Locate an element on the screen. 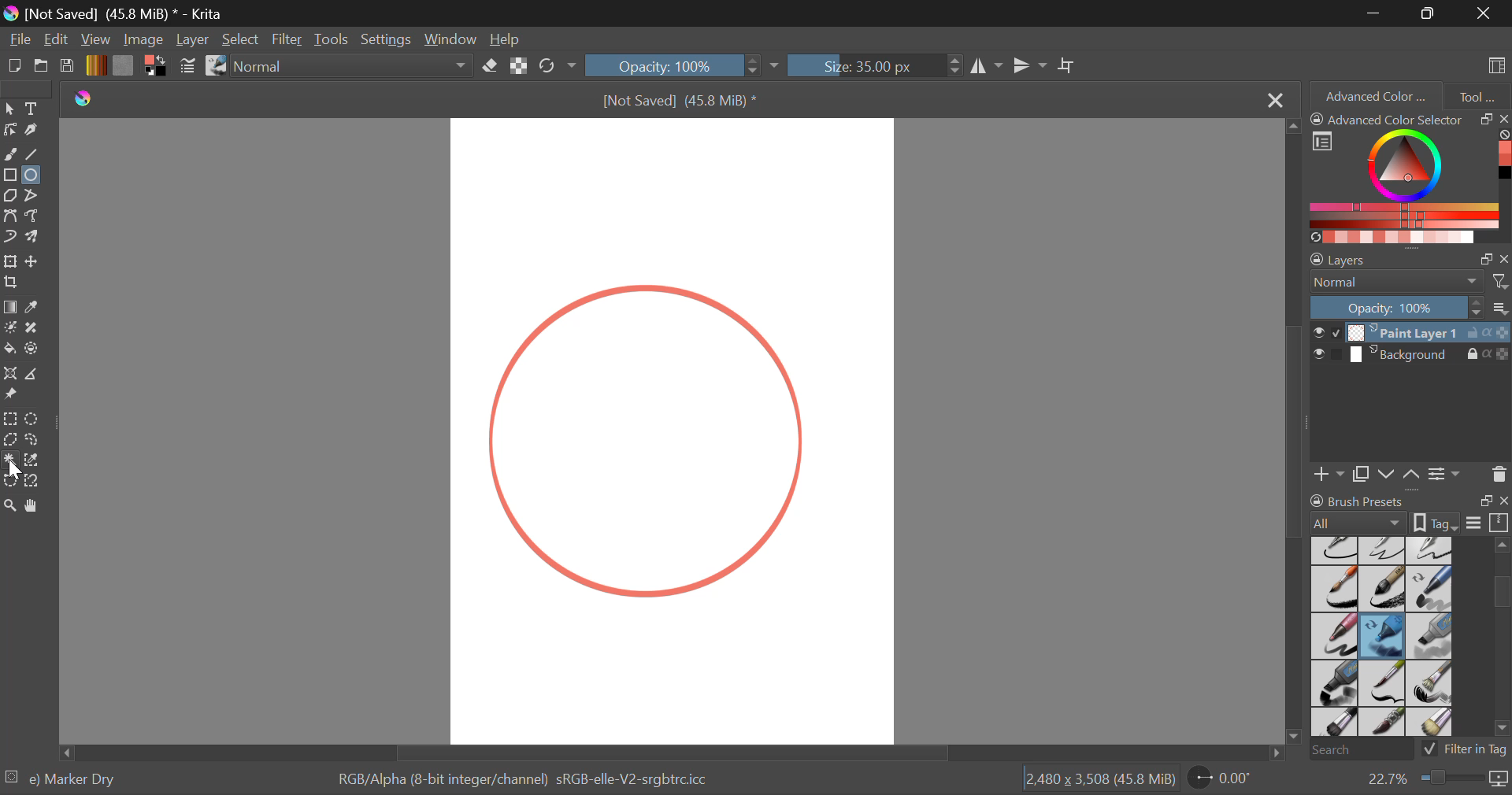 Image resolution: width=1512 pixels, height=795 pixels. Ink-2 Fineliner is located at coordinates (1336, 549).